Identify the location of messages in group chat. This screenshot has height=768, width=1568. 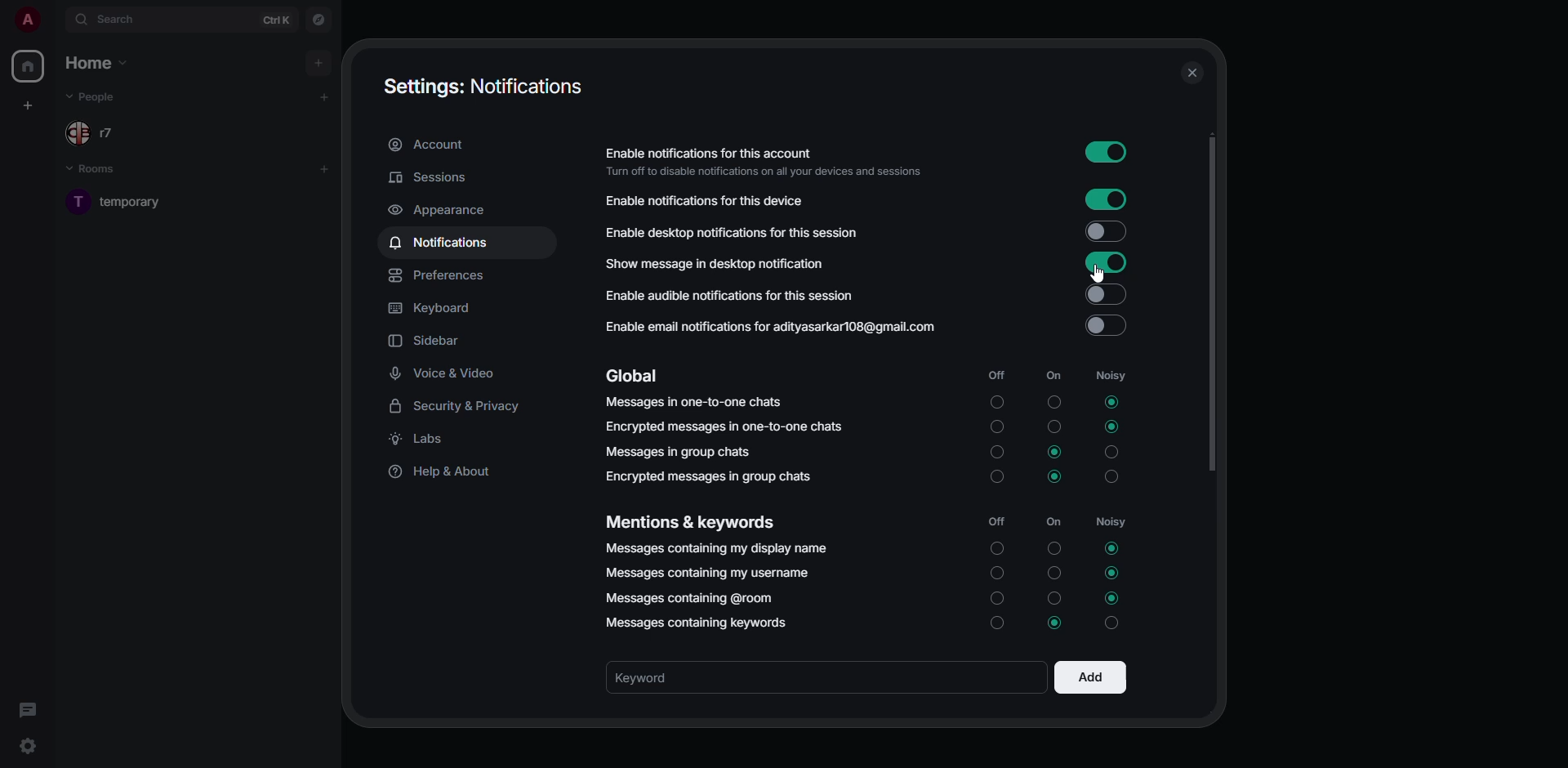
(681, 451).